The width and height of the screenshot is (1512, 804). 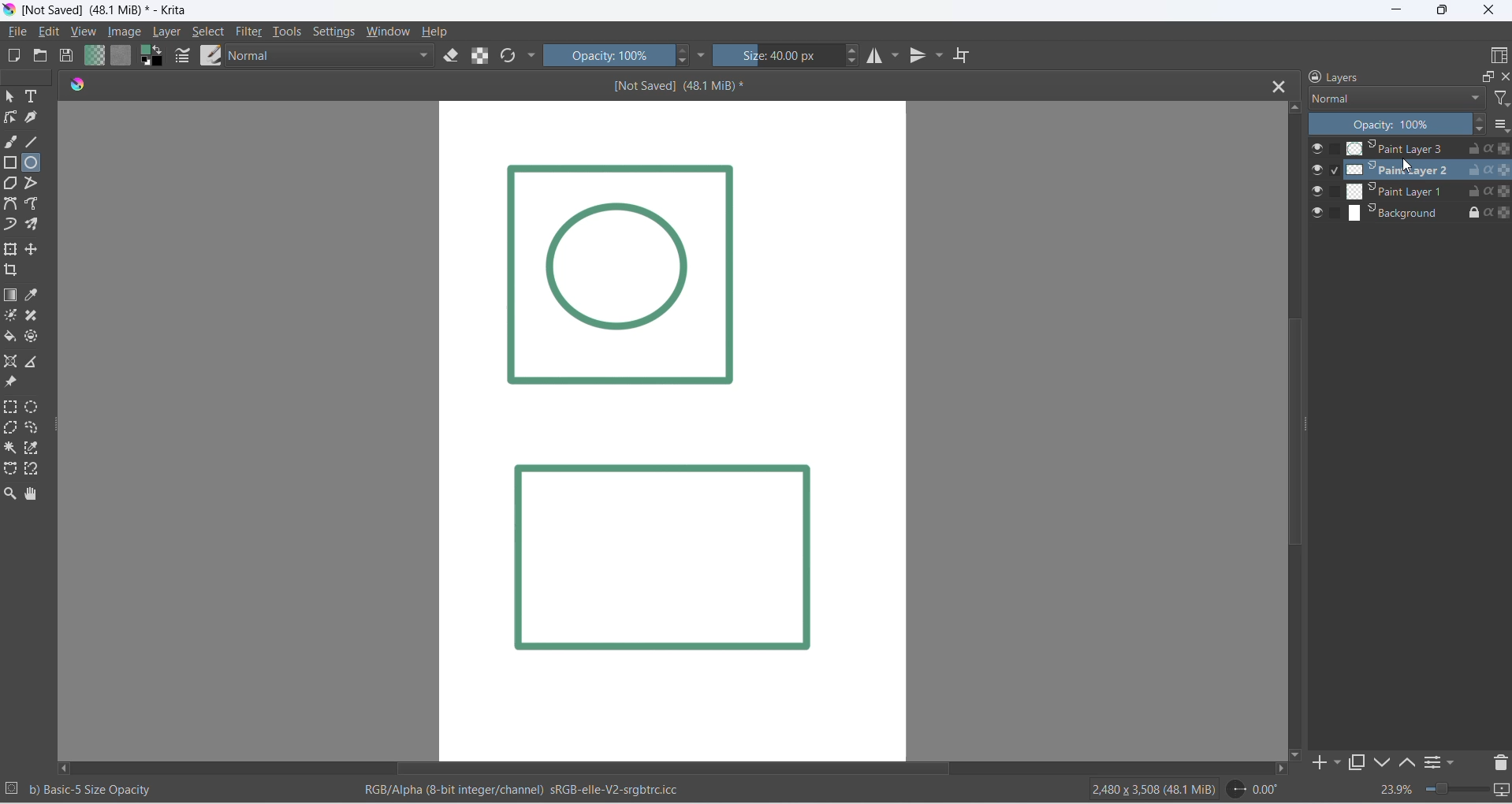 I want to click on minimize, so click(x=1394, y=12).